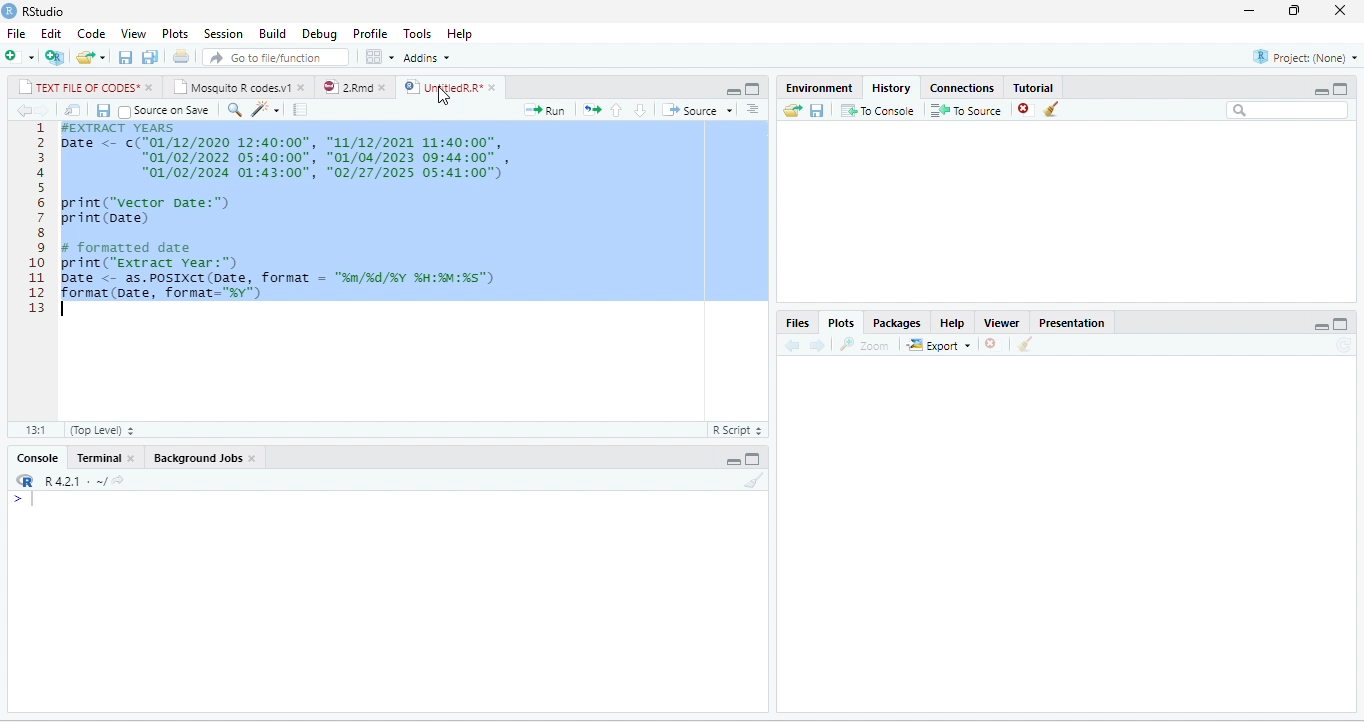 This screenshot has height=722, width=1364. What do you see at coordinates (234, 110) in the screenshot?
I see `search` at bounding box center [234, 110].